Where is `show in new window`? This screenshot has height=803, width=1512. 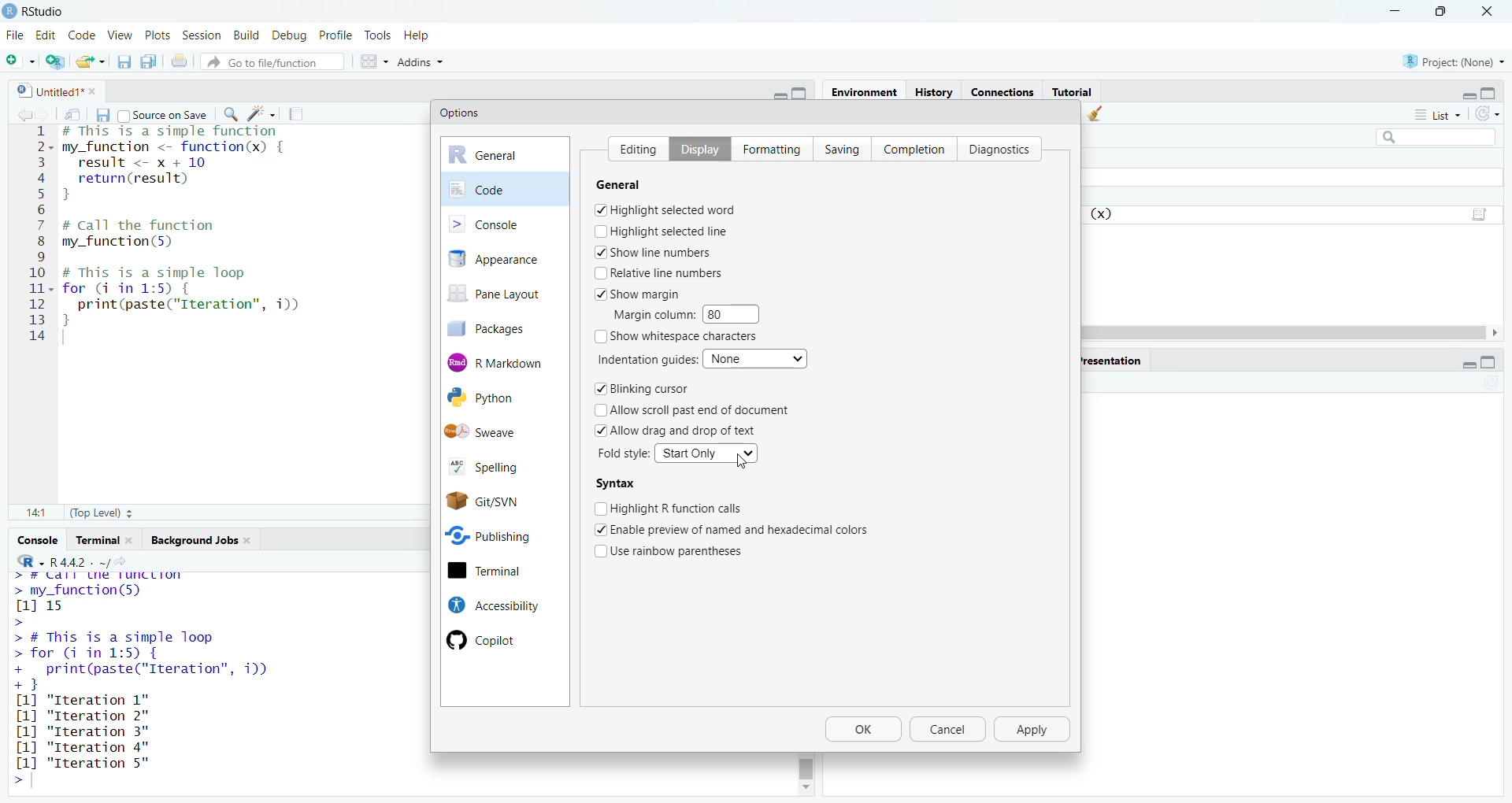
show in new window is located at coordinates (74, 113).